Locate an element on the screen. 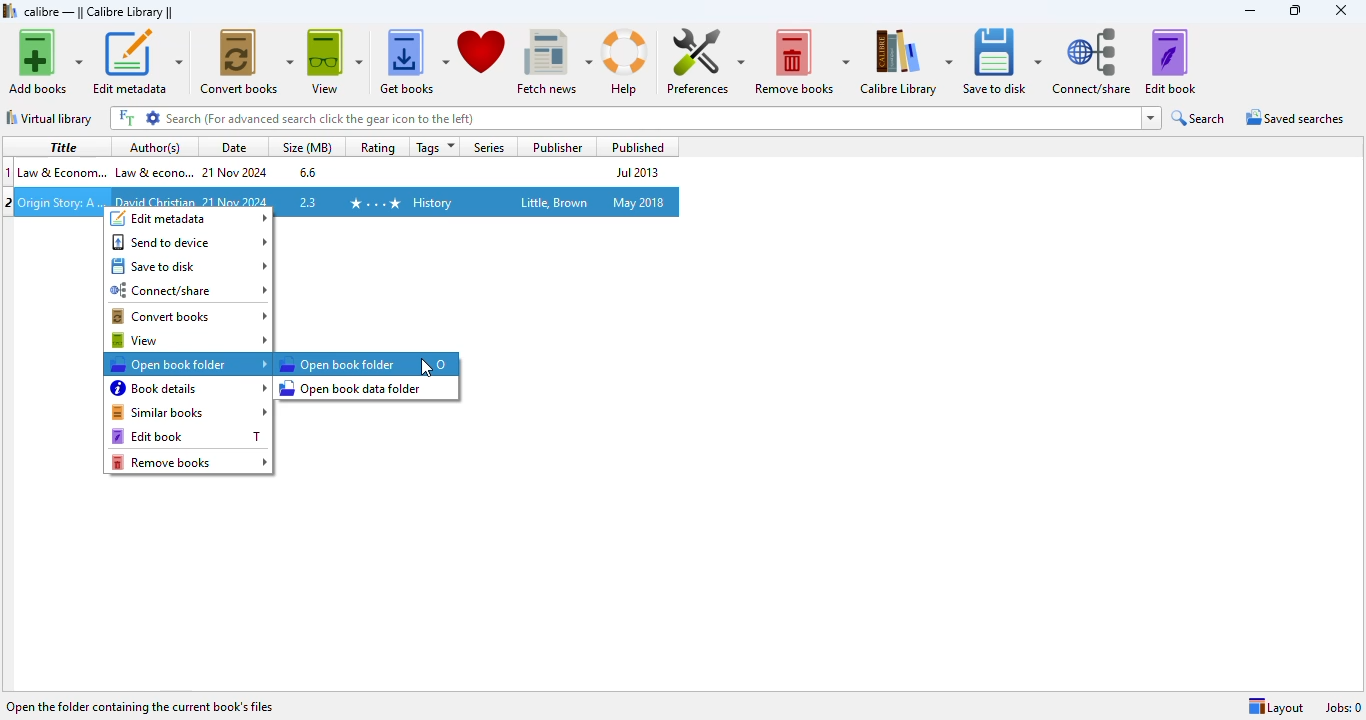 The width and height of the screenshot is (1366, 720). 21 nov 2024 is located at coordinates (236, 172).